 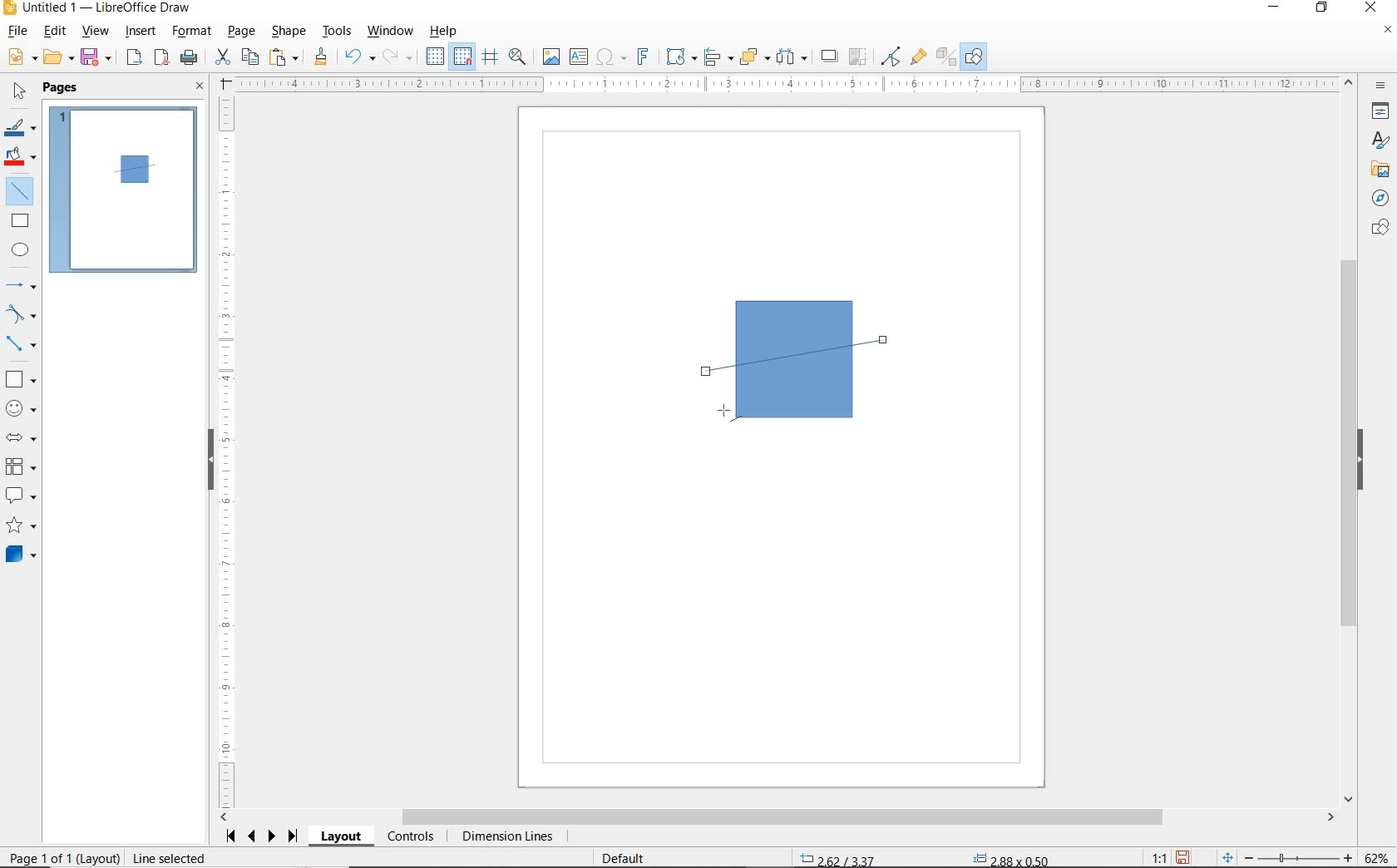 What do you see at coordinates (1351, 440) in the screenshot?
I see `SCROLLBAR` at bounding box center [1351, 440].